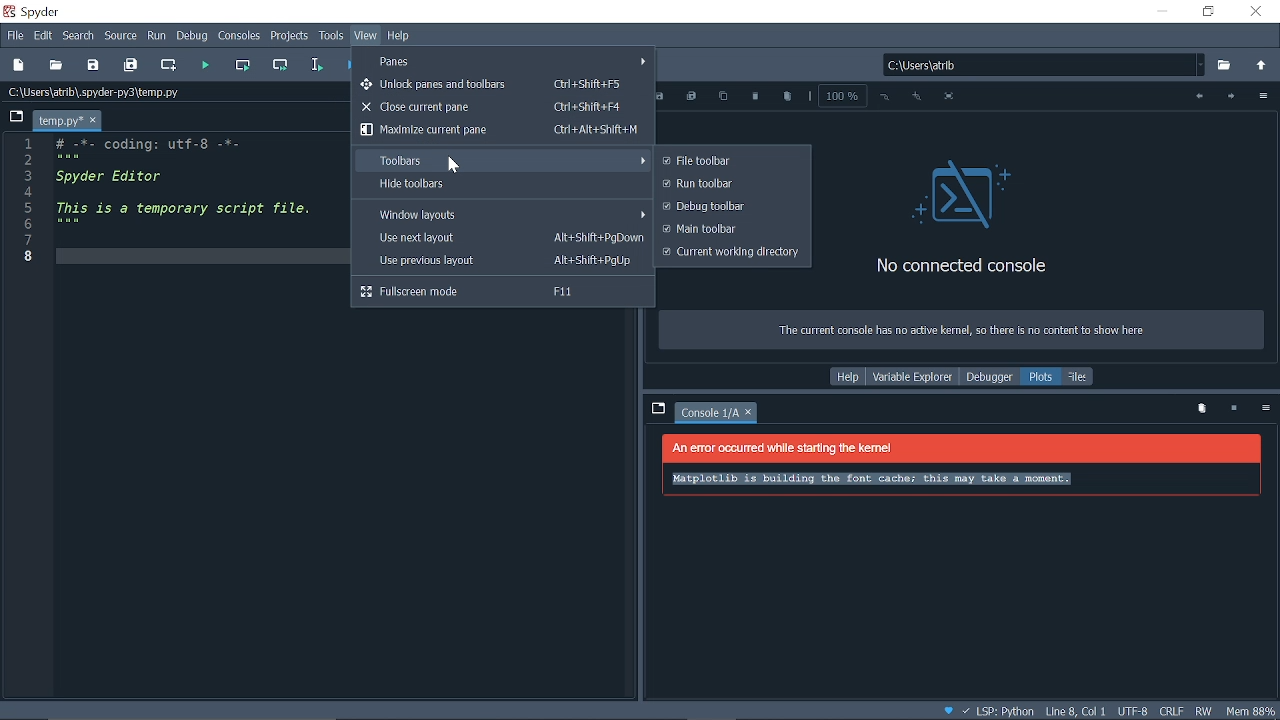  What do you see at coordinates (157, 37) in the screenshot?
I see `Run` at bounding box center [157, 37].